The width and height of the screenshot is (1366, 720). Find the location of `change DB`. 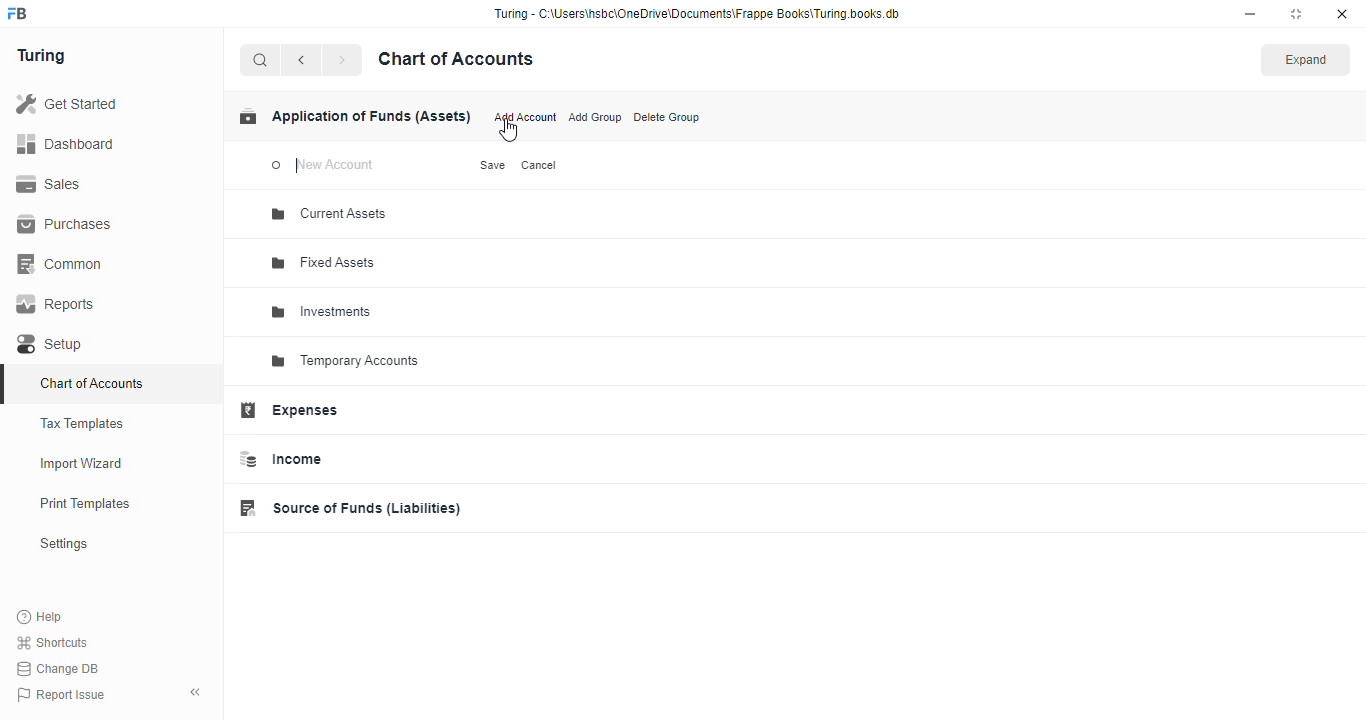

change DB is located at coordinates (59, 668).